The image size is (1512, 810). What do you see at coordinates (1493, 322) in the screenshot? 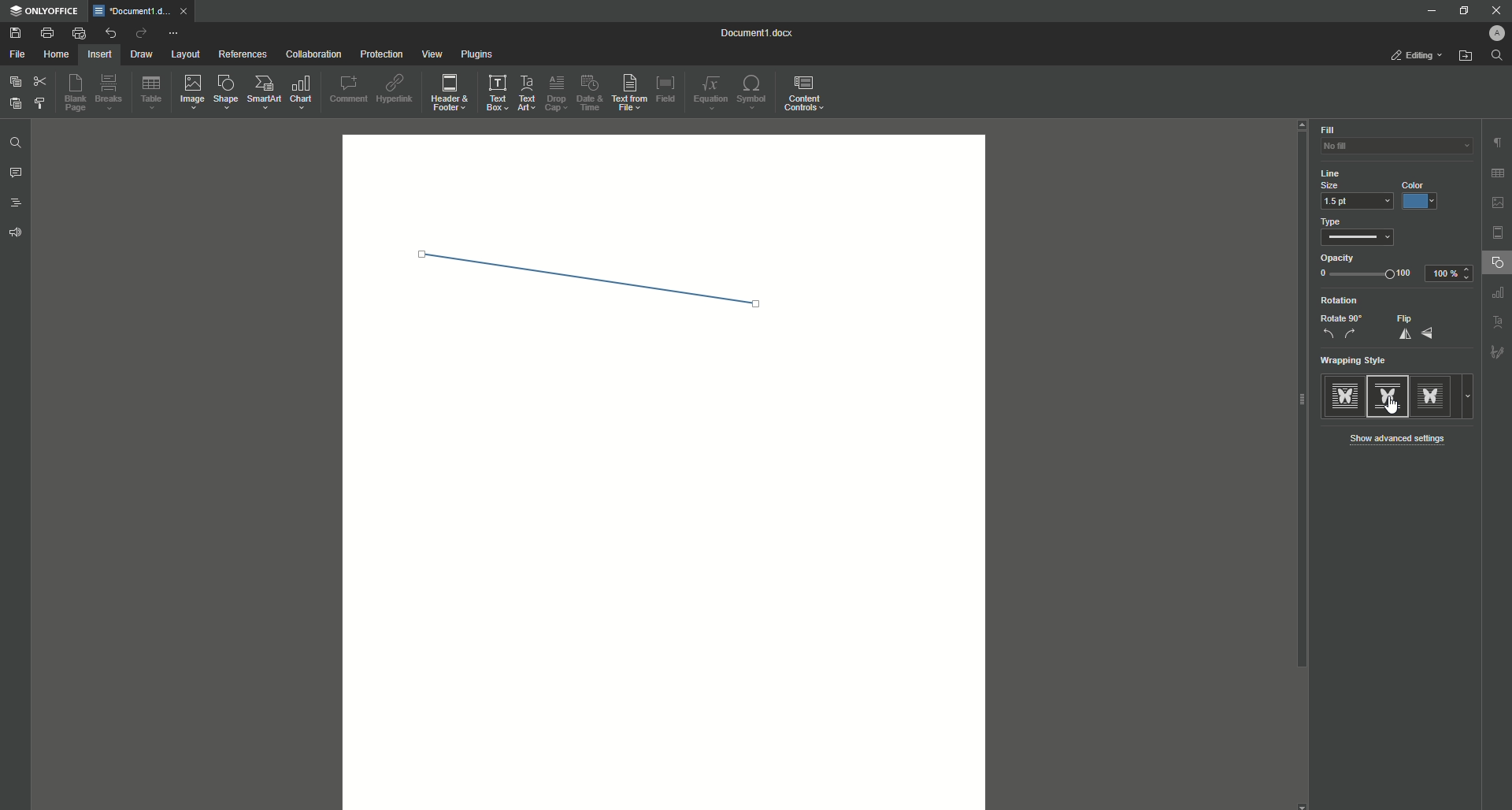
I see `` at bounding box center [1493, 322].